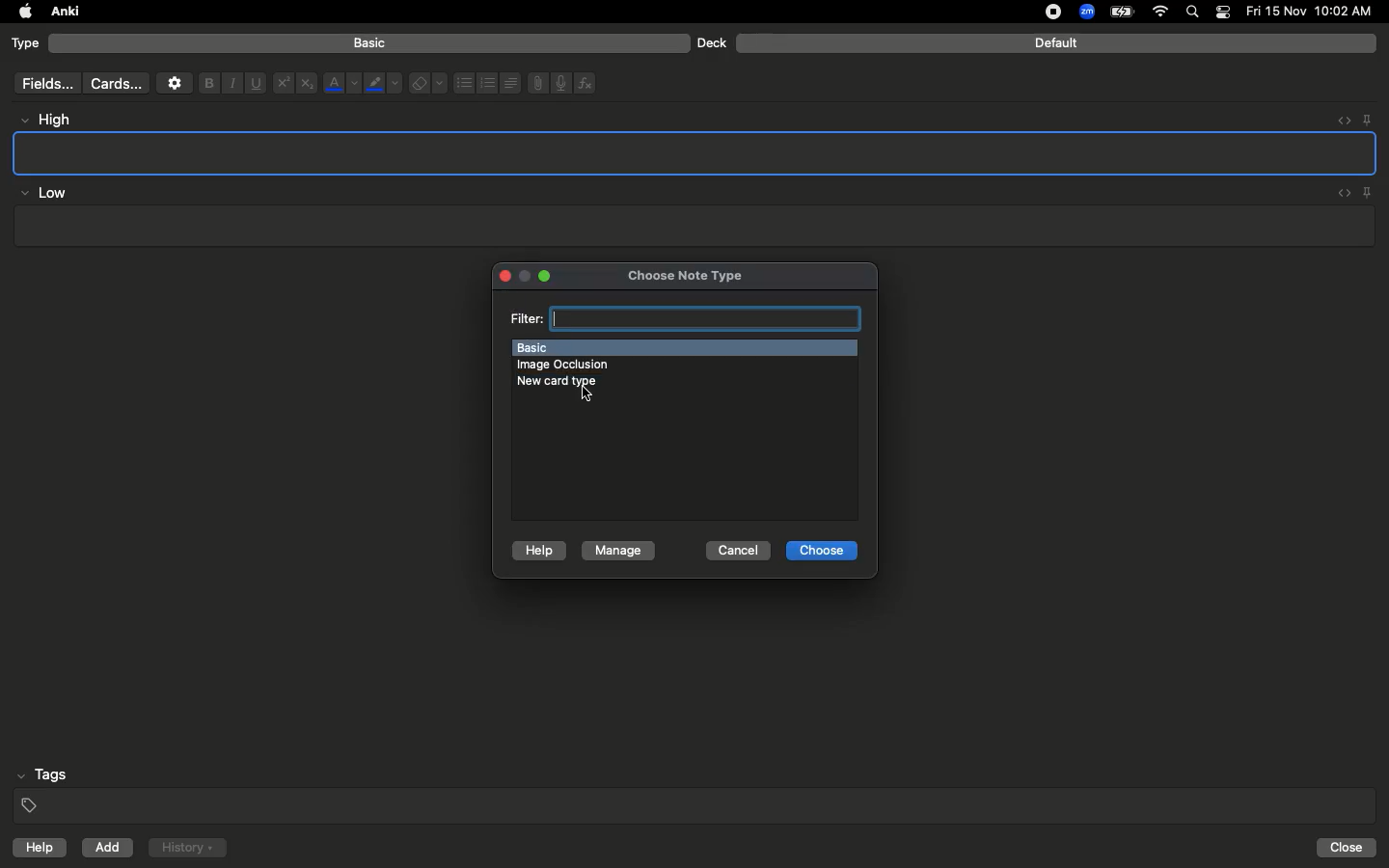 The height and width of the screenshot is (868, 1389). I want to click on Embed, so click(1340, 194).